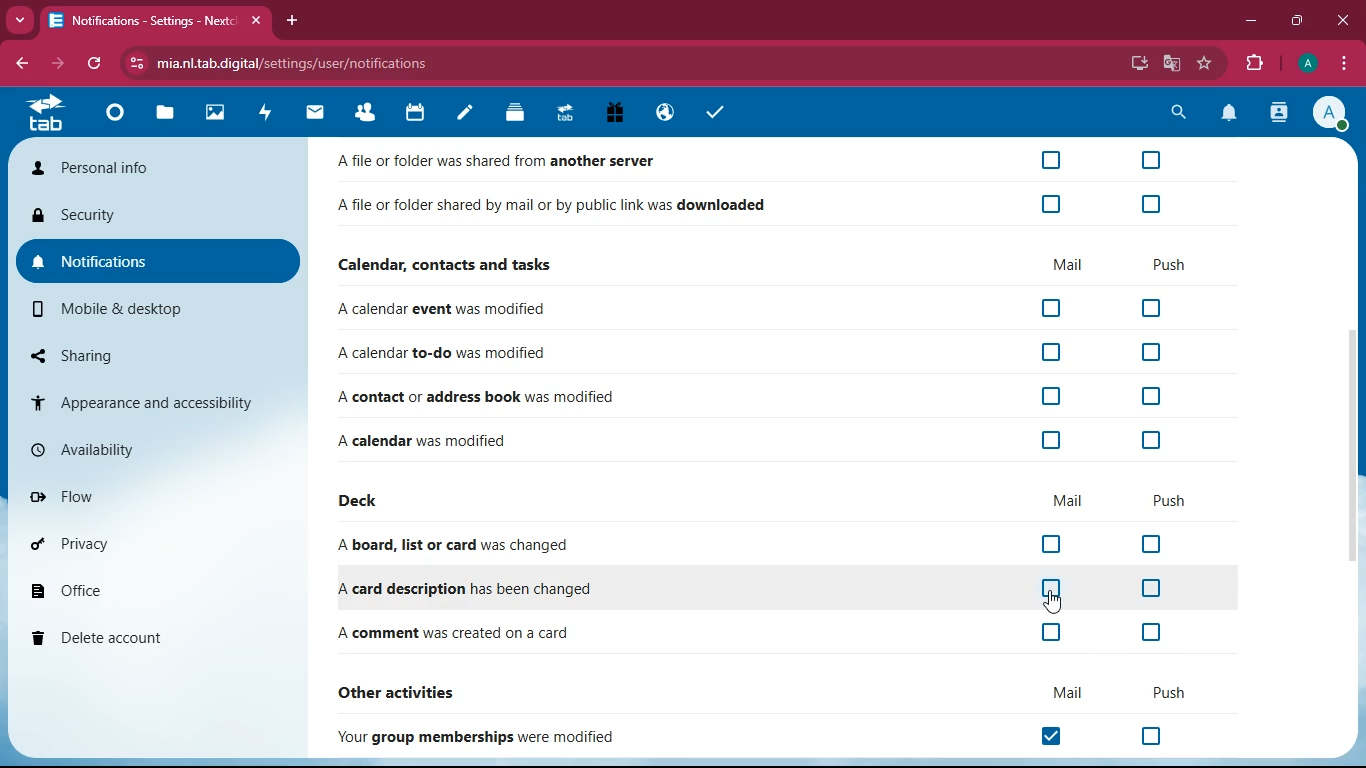  I want to click on A calendar to-do was modified, so click(445, 354).